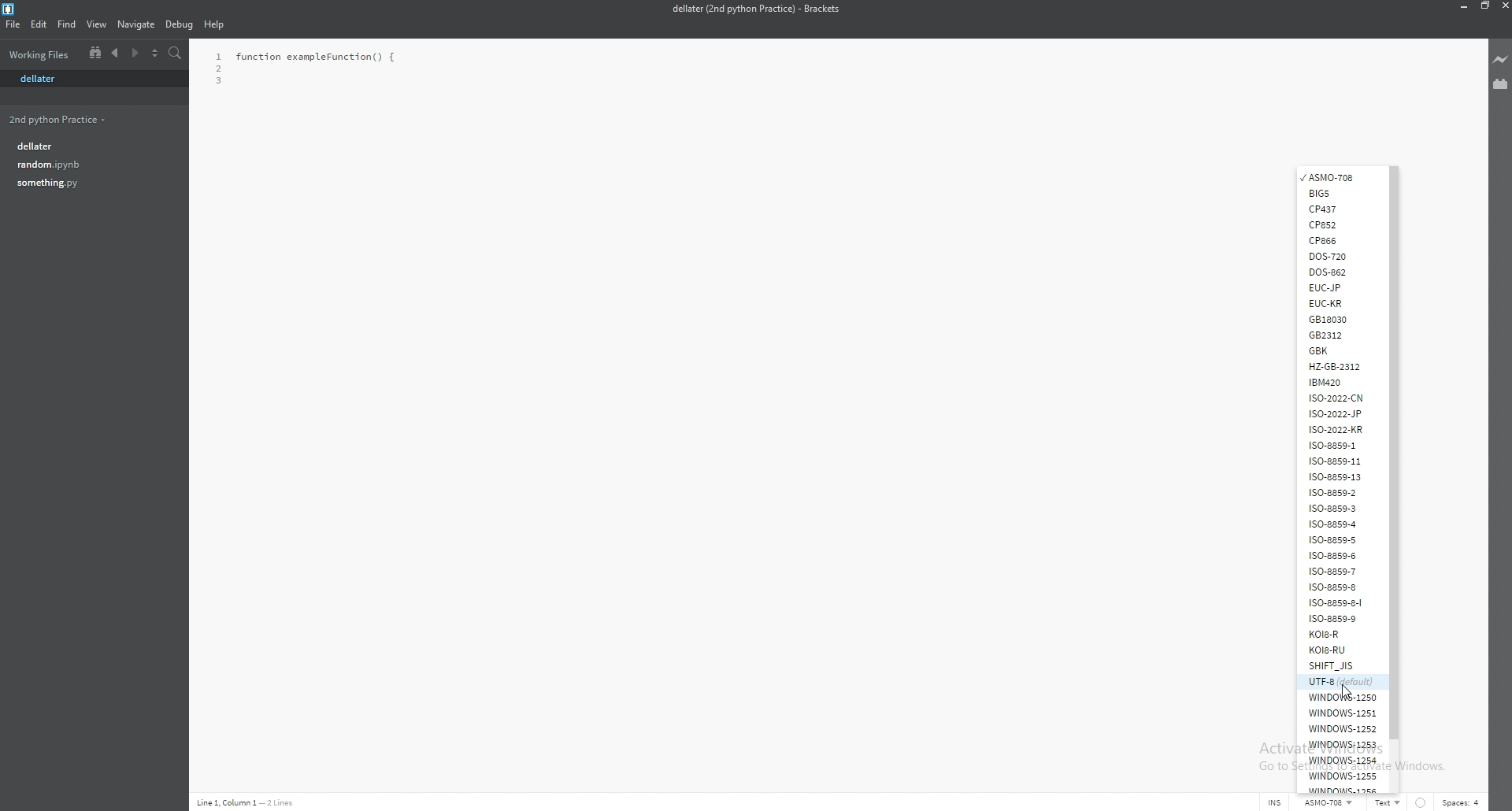 This screenshot has height=811, width=1512. I want to click on k018-r, so click(1340, 635).